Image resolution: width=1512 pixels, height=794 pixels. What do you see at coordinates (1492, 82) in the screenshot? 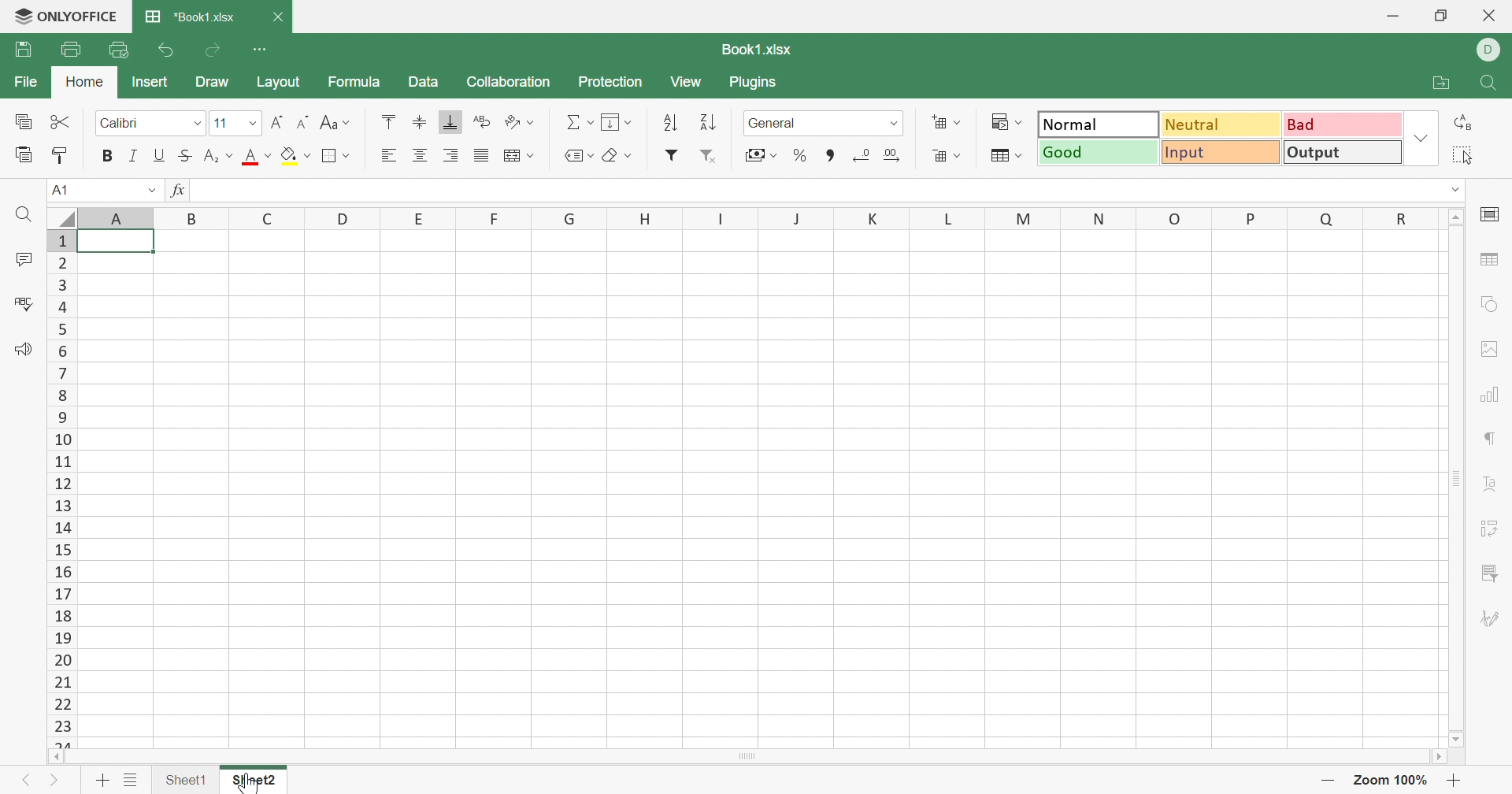
I see `Find` at bounding box center [1492, 82].